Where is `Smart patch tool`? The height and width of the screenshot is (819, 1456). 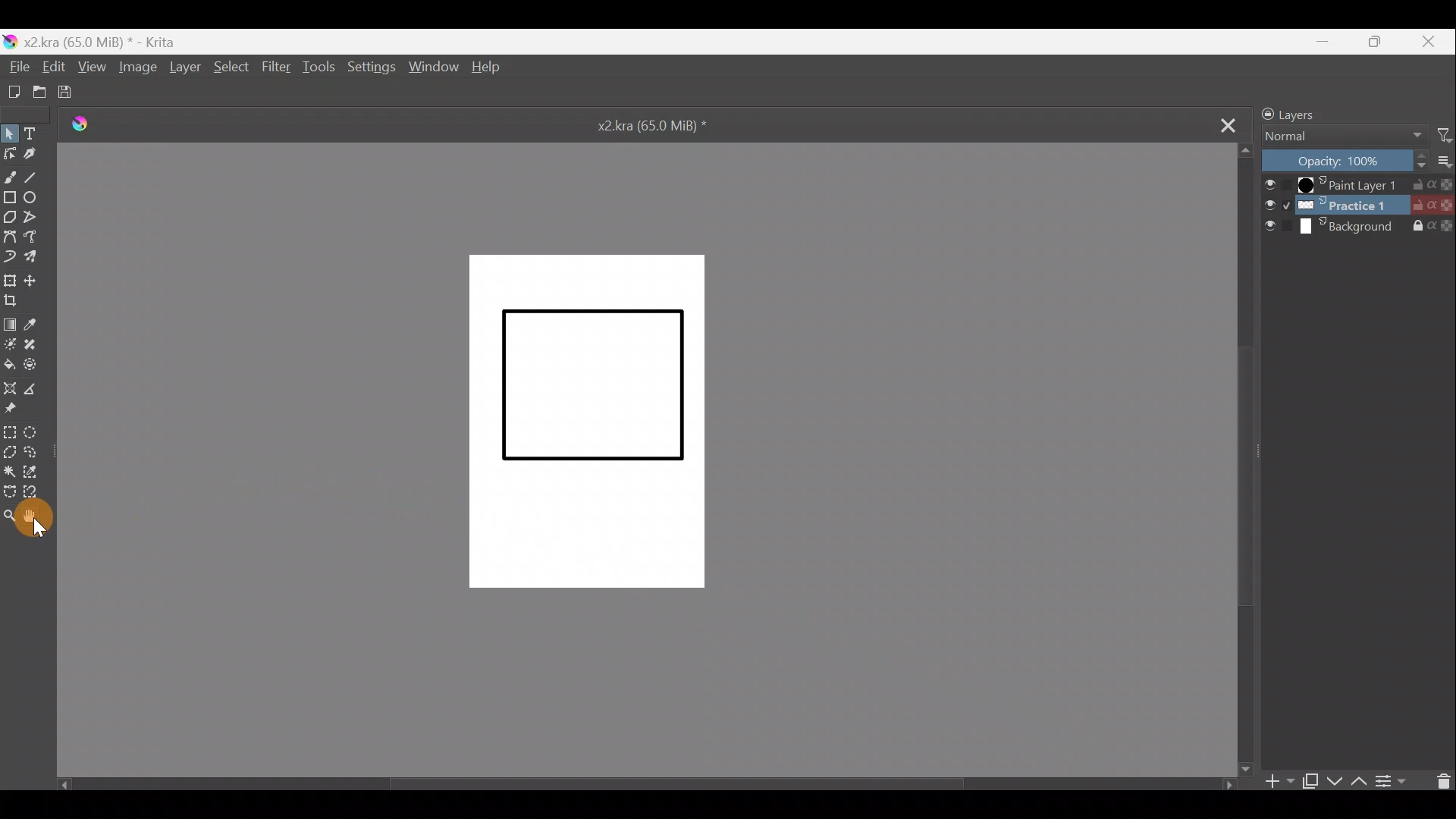 Smart patch tool is located at coordinates (36, 343).